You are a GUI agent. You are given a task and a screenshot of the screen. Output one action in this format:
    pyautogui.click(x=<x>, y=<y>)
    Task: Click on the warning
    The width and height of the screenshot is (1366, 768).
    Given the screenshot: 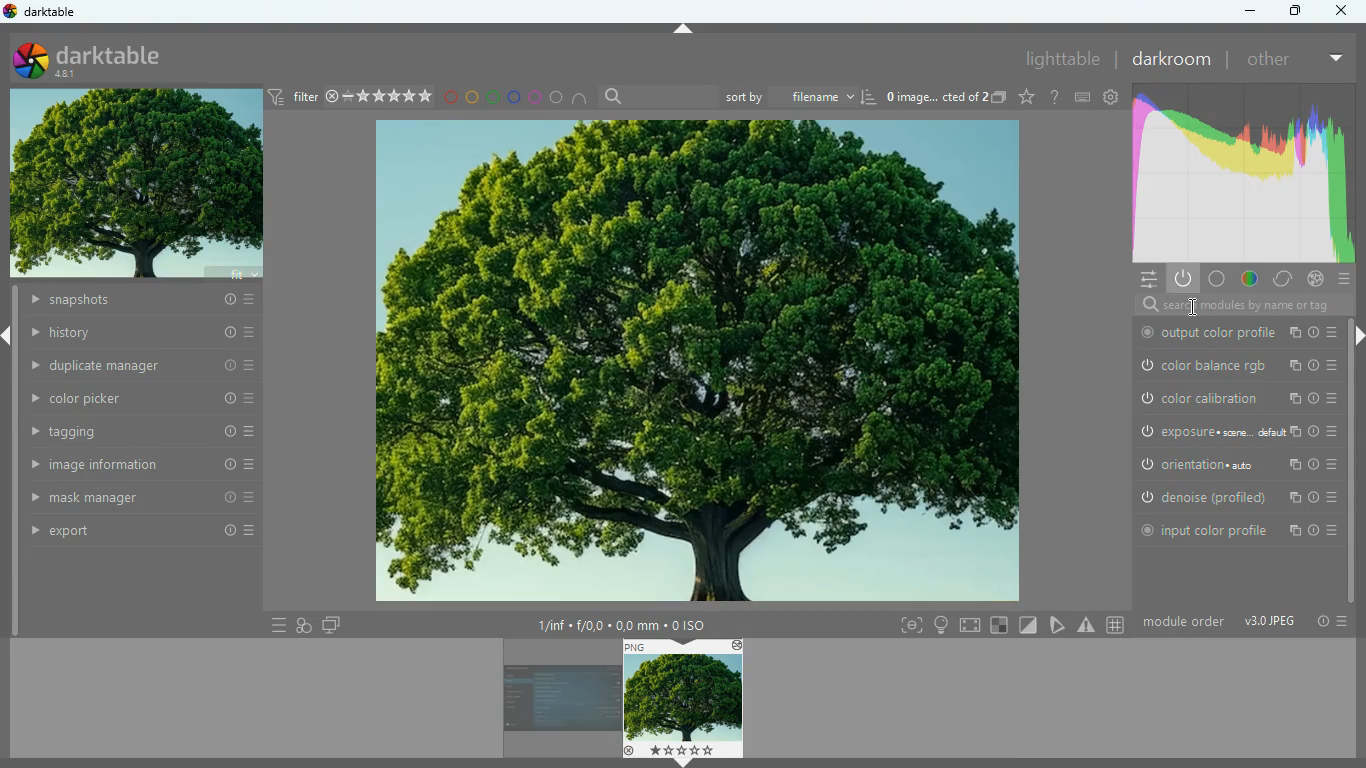 What is the action you would take?
    pyautogui.click(x=1086, y=624)
    